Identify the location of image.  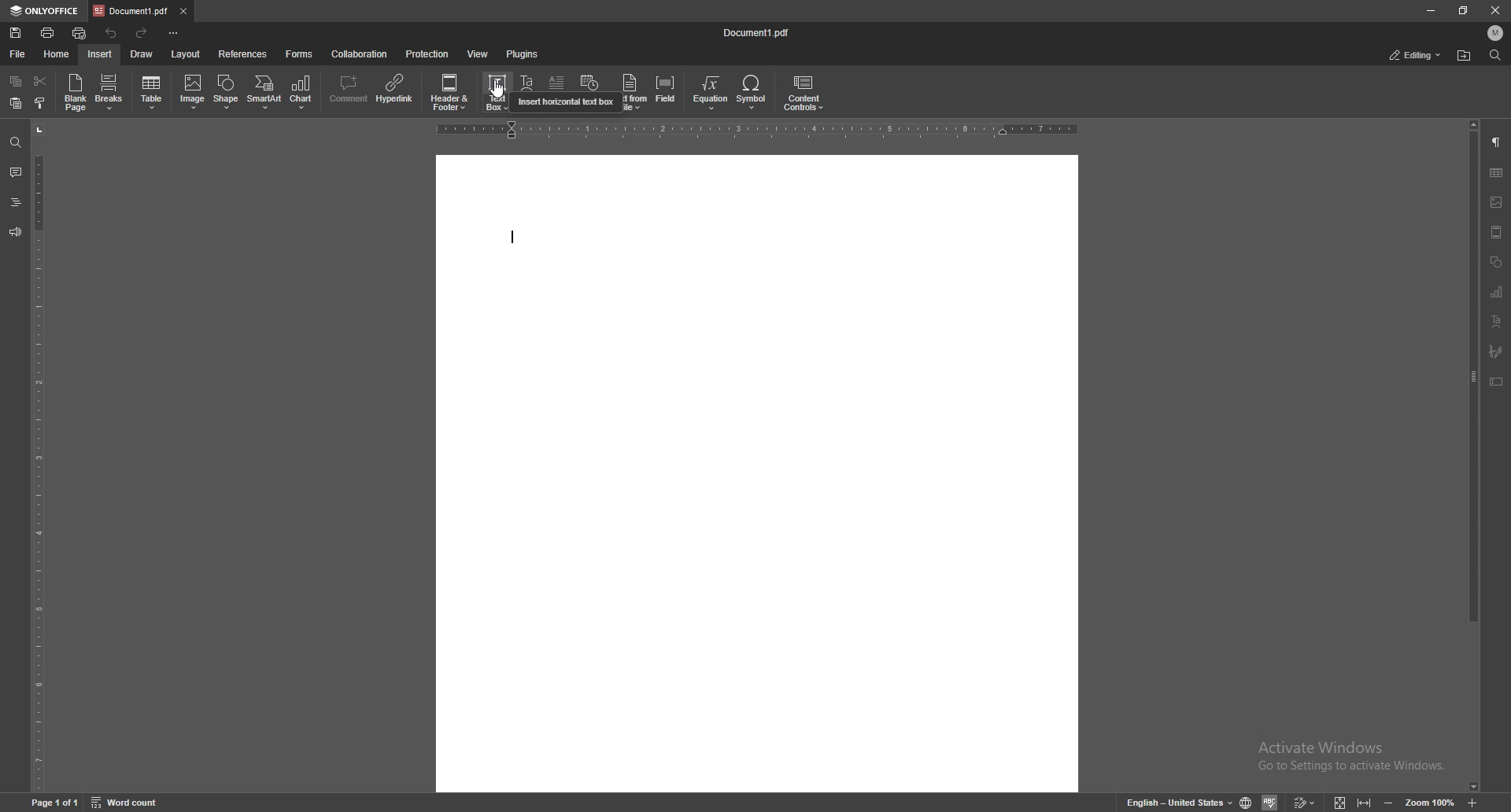
(1498, 202).